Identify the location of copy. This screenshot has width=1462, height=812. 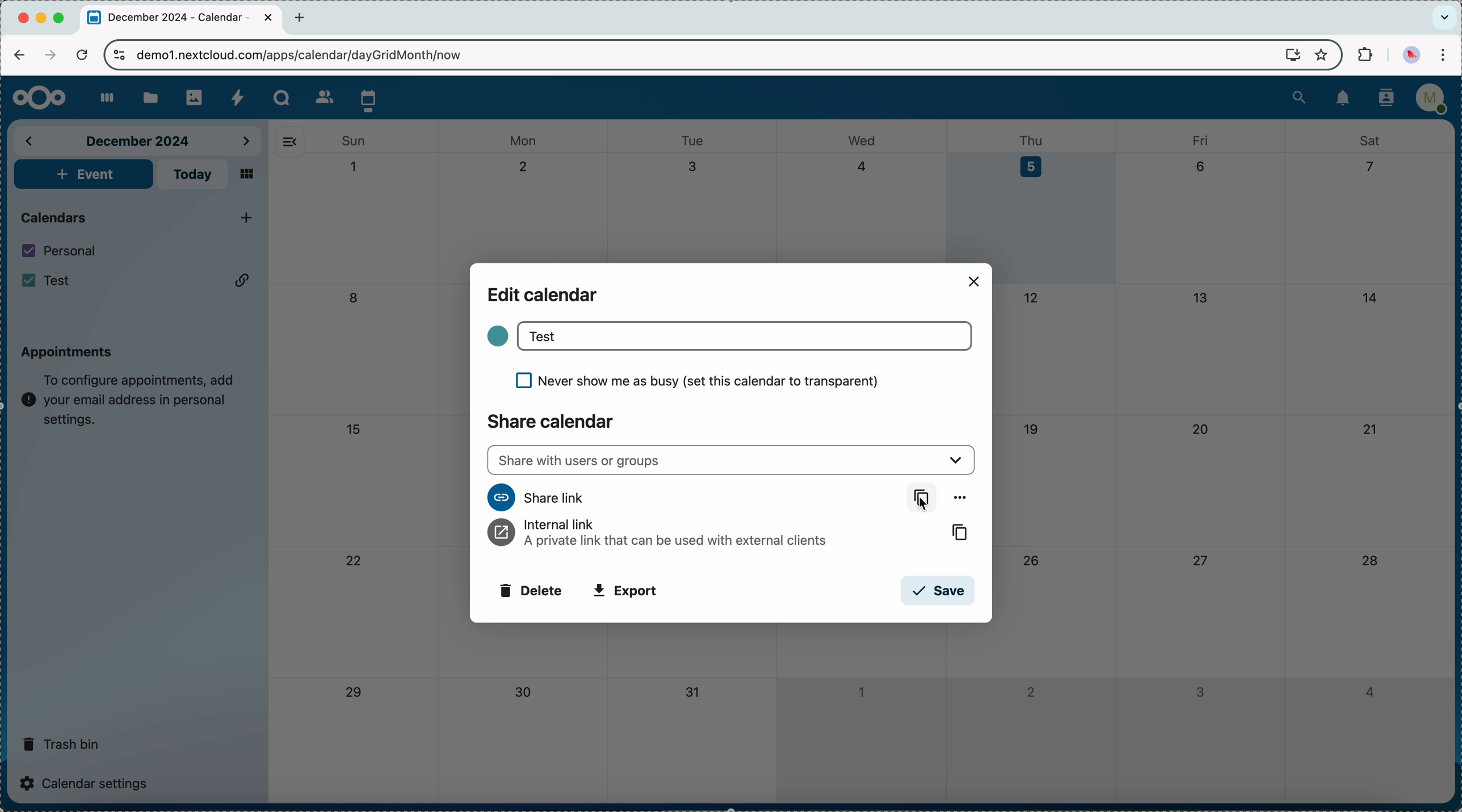
(954, 532).